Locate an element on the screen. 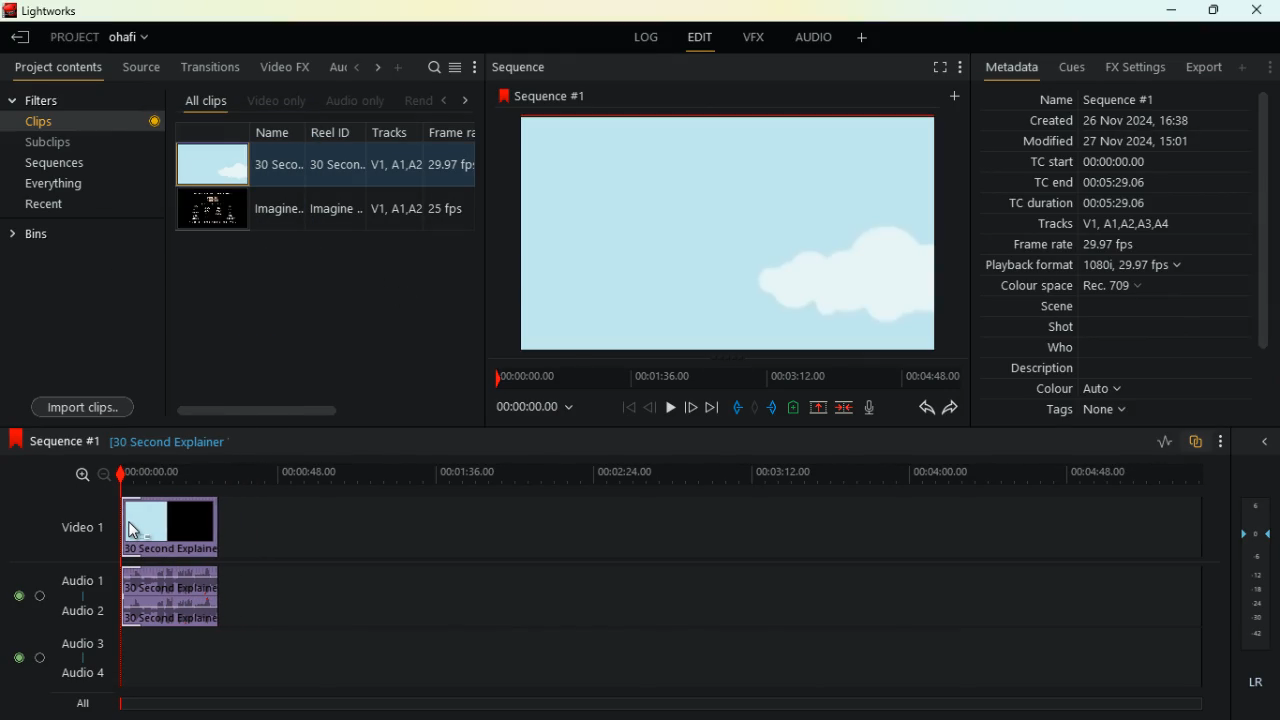 Image resolution: width=1280 pixels, height=720 pixels. video is located at coordinates (73, 524).